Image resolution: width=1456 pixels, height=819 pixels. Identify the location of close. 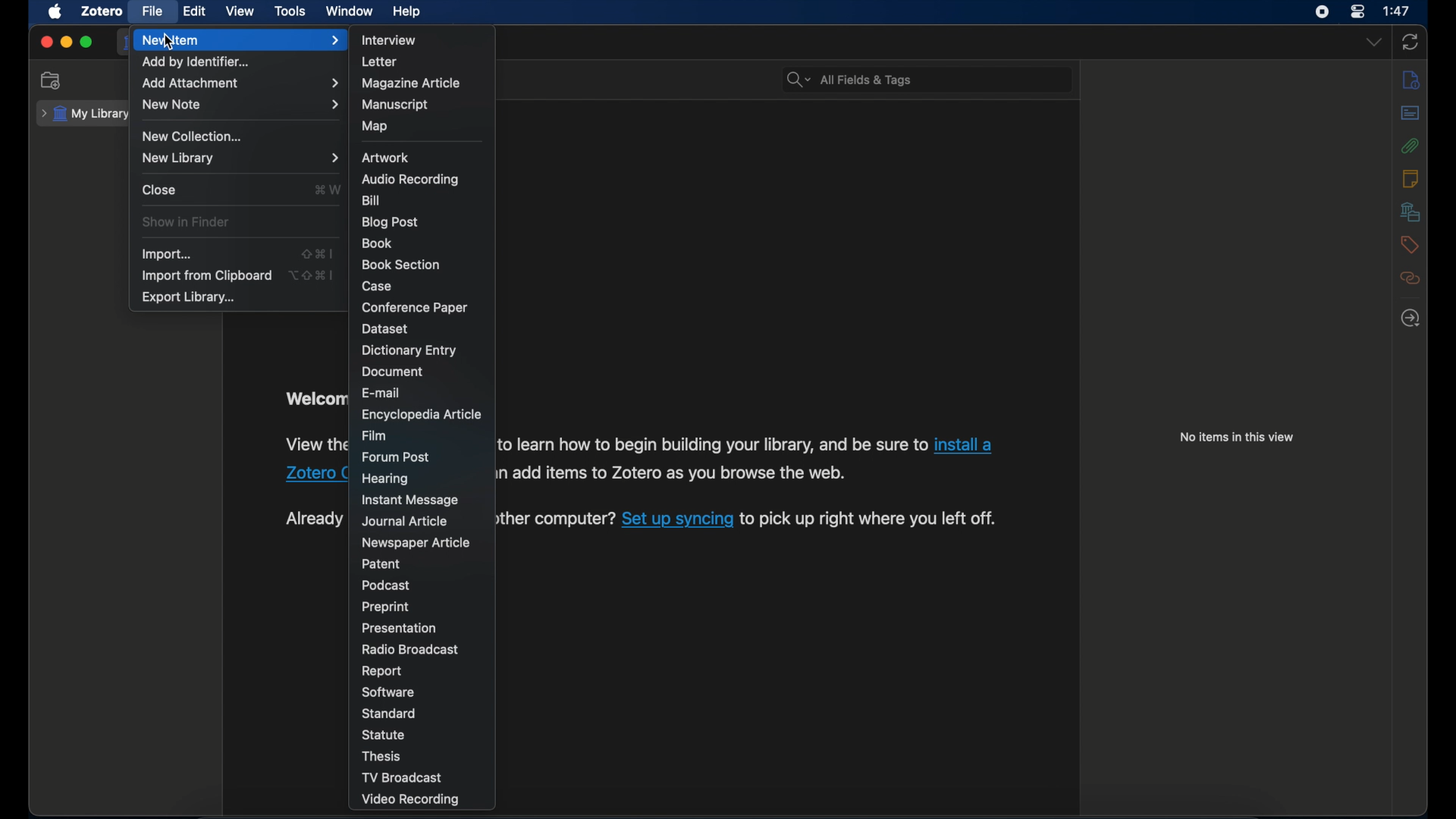
(159, 190).